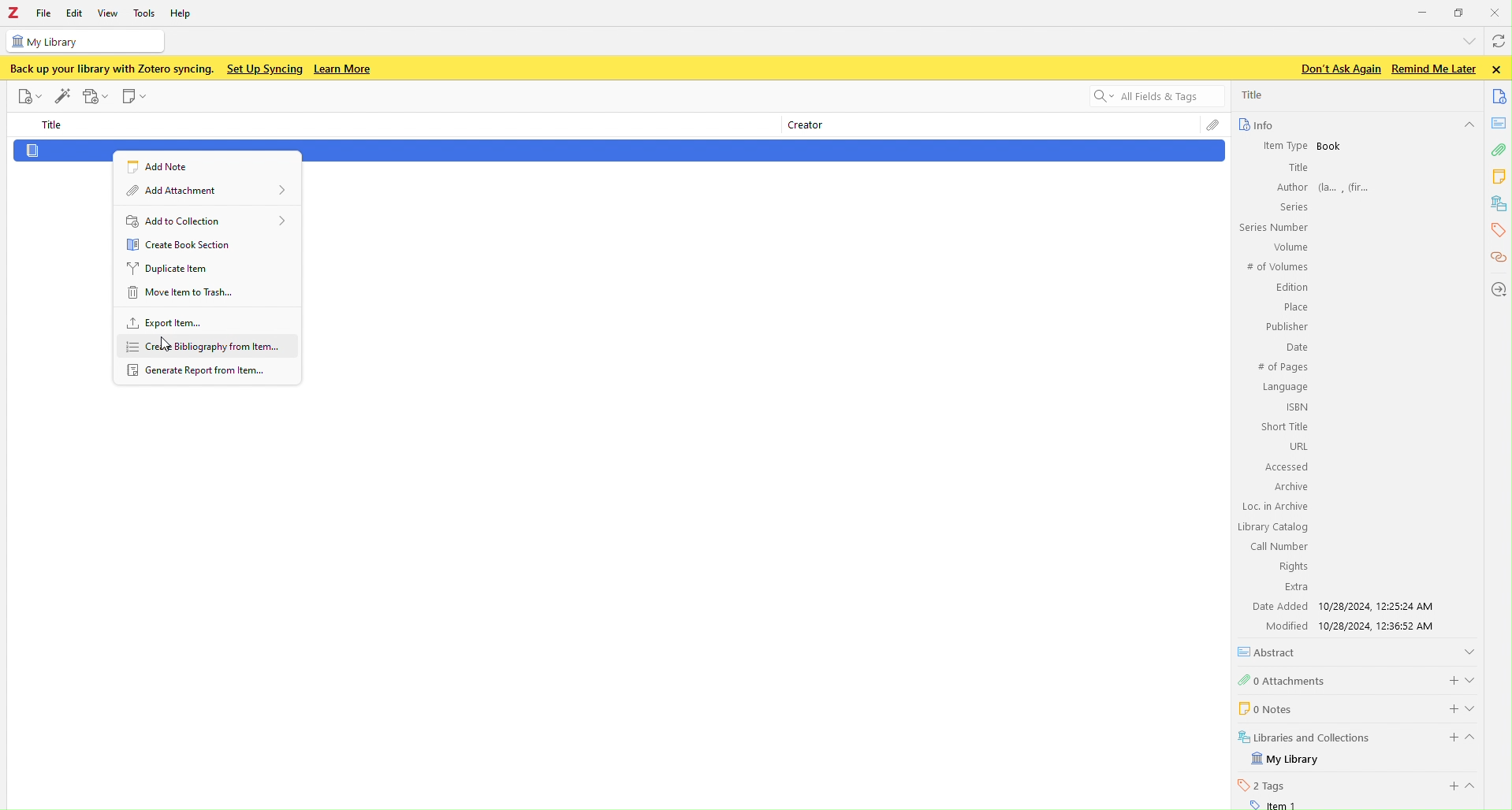  I want to click on extra, so click(1296, 588).